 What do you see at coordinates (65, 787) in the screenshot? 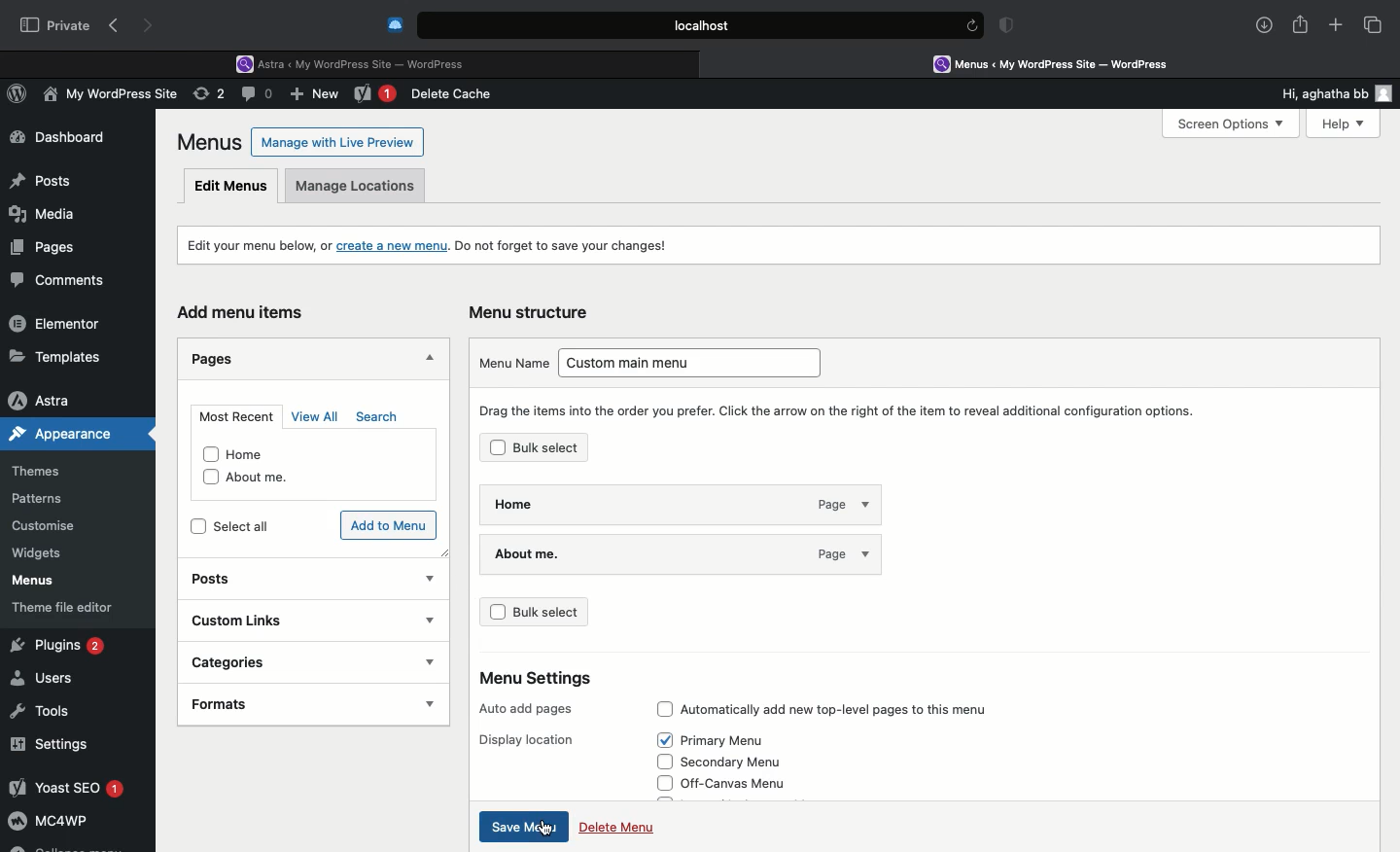
I see `Yoast SEO 1` at bounding box center [65, 787].